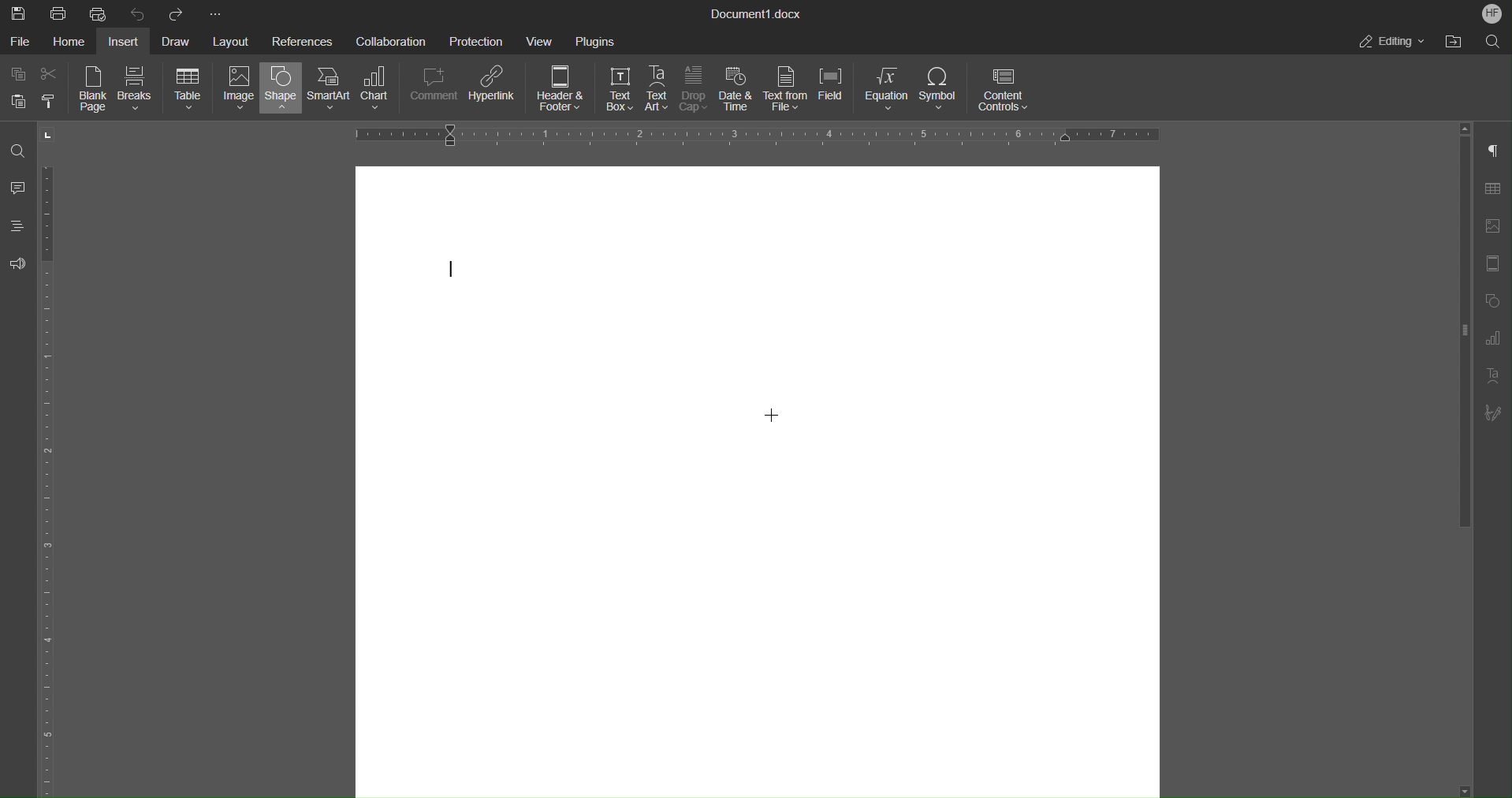 The image size is (1512, 798). Describe the element at coordinates (52, 101) in the screenshot. I see `Copy Style` at that location.